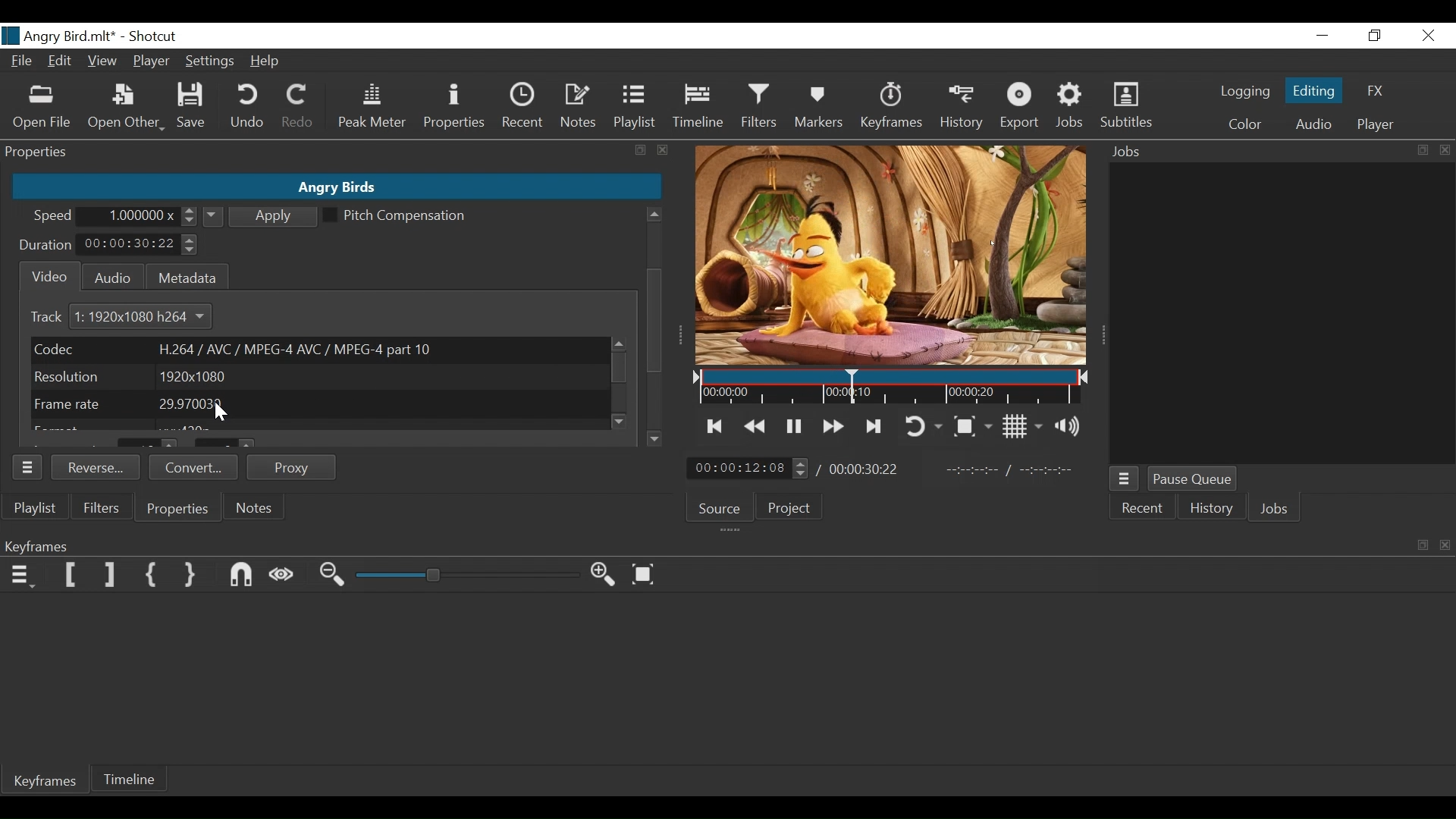 The width and height of the screenshot is (1456, 819). Describe the element at coordinates (926, 425) in the screenshot. I see `Toggle player looping` at that location.